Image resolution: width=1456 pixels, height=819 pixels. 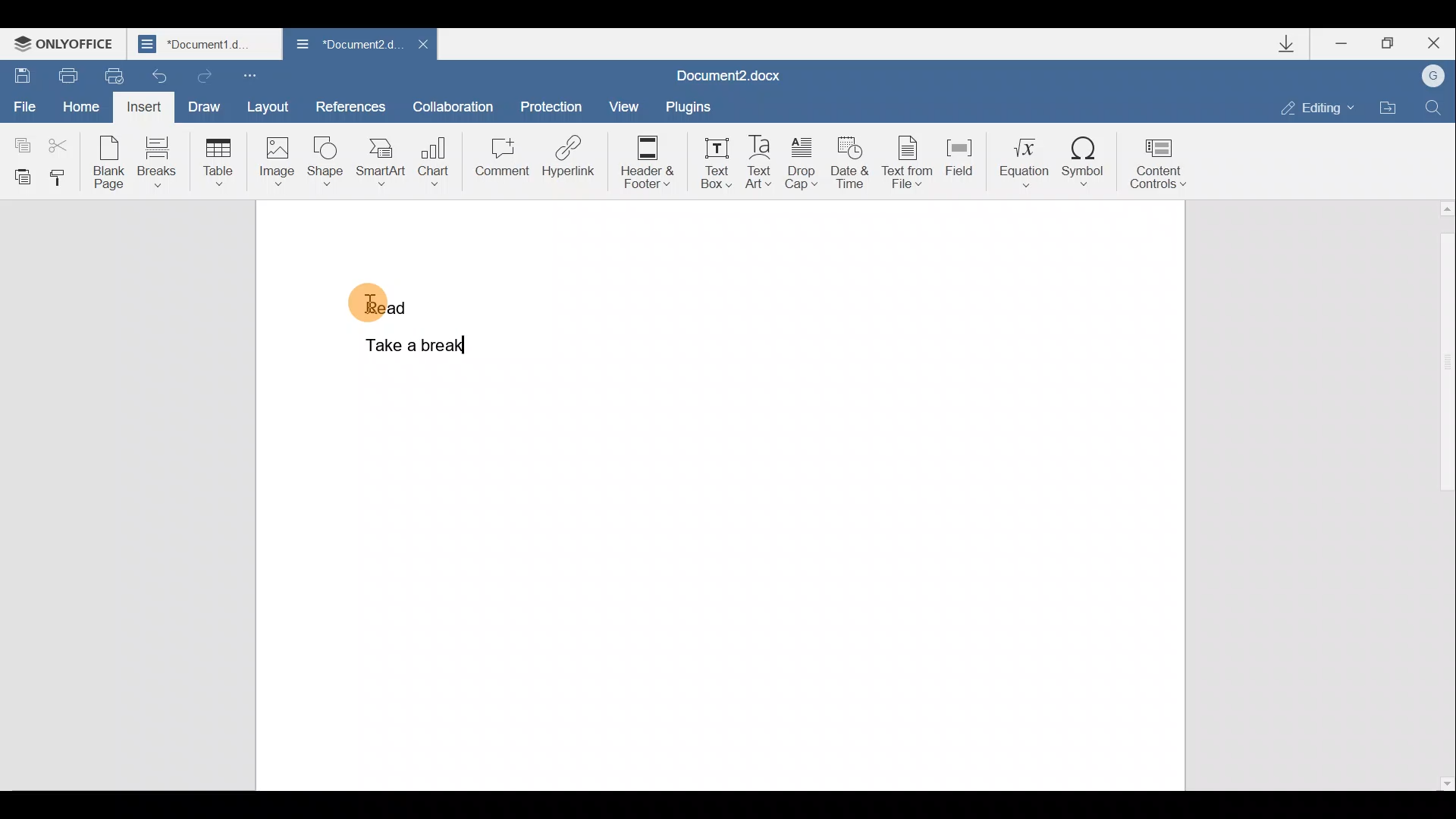 I want to click on Minimize, so click(x=1342, y=45).